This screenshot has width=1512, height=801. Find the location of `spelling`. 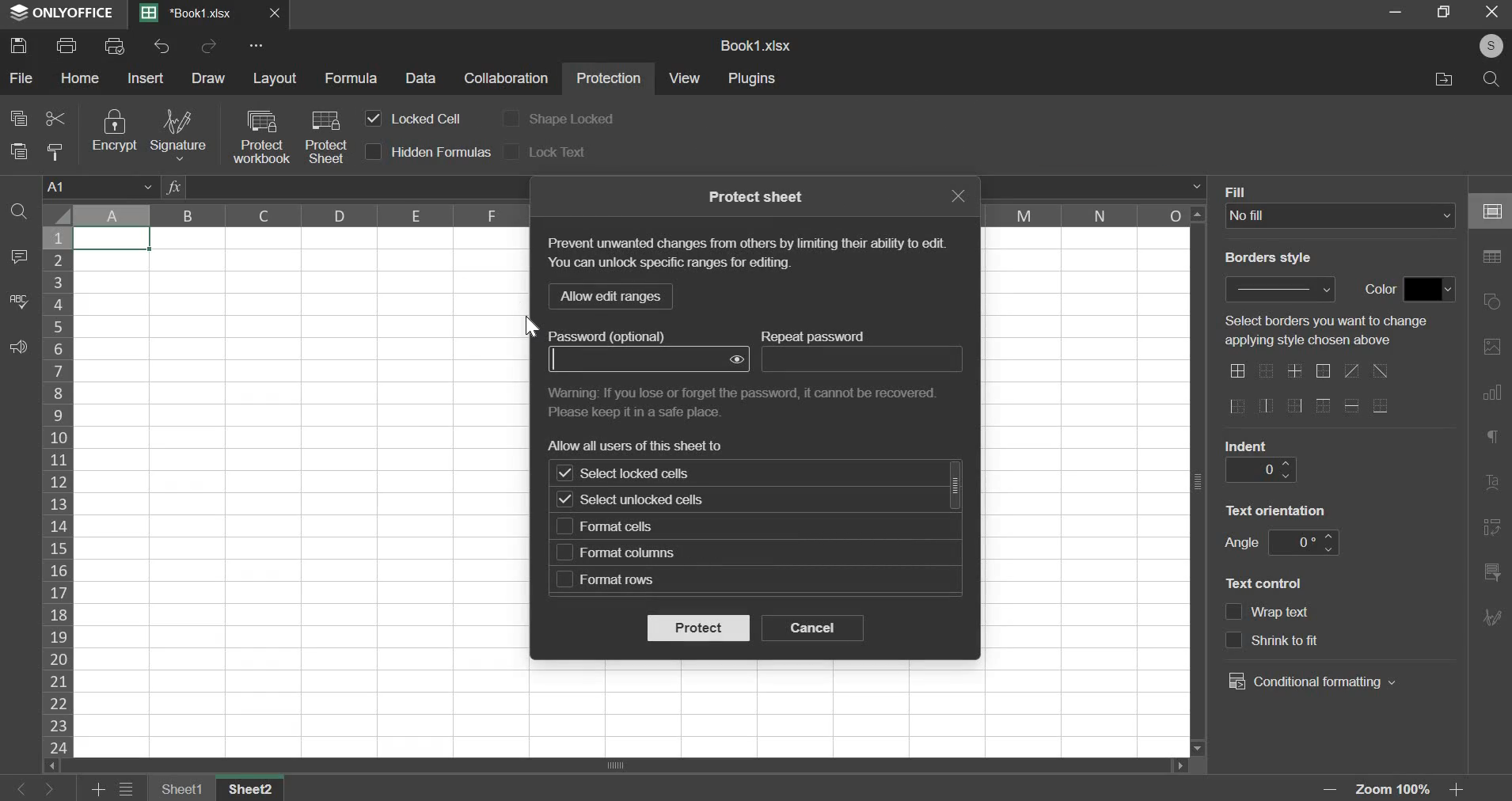

spelling is located at coordinates (19, 301).